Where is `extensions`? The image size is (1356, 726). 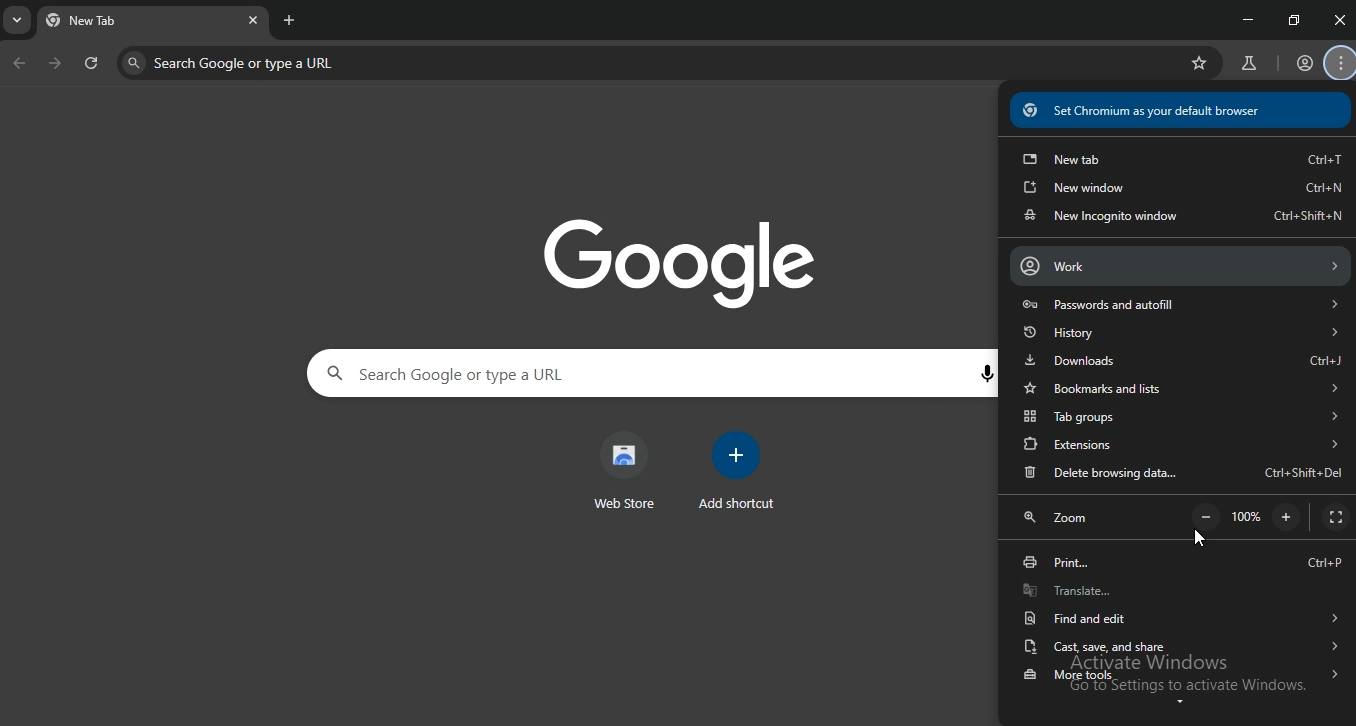
extensions is located at coordinates (1182, 445).